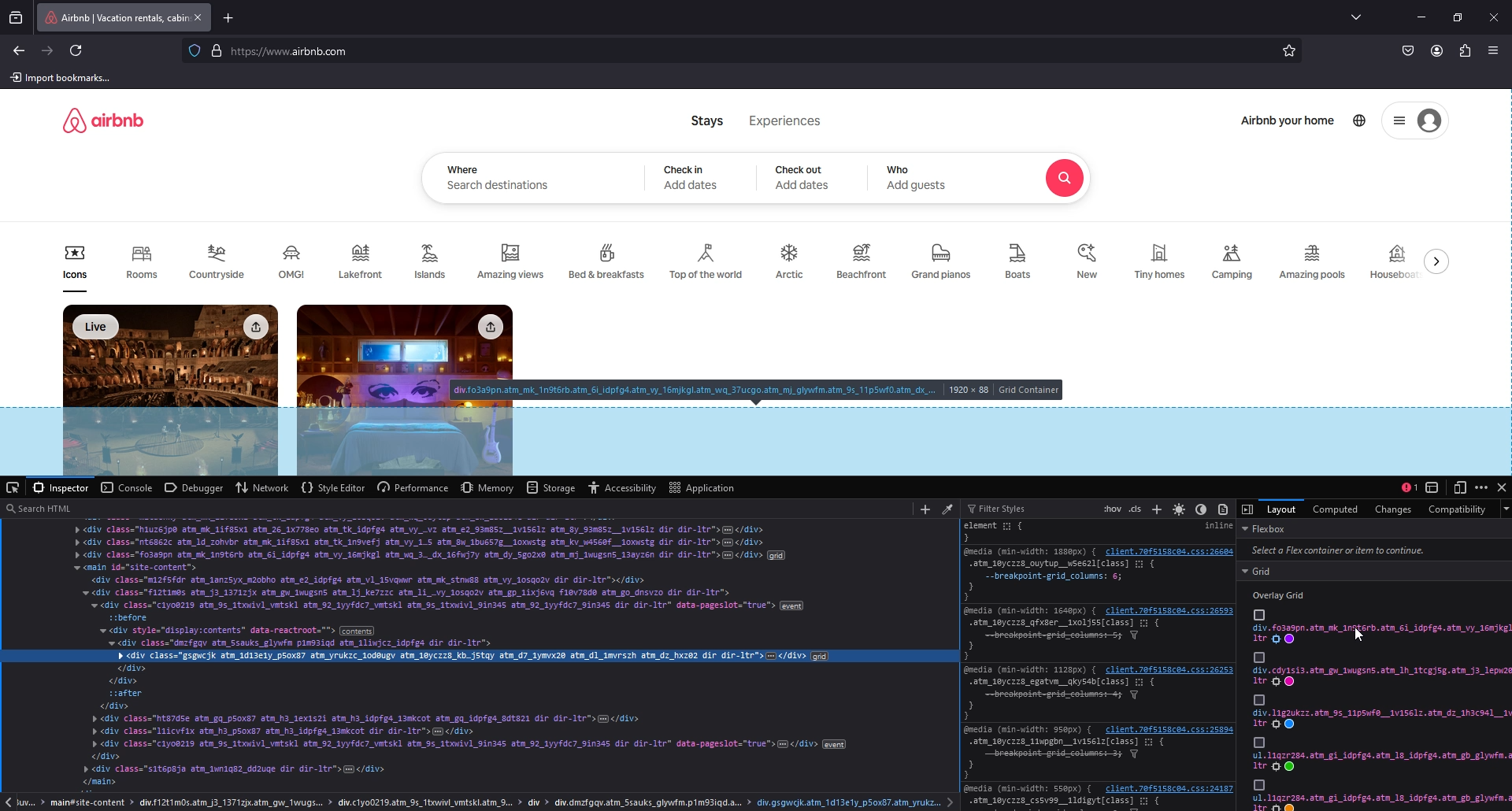 This screenshot has height=811, width=1512. What do you see at coordinates (19, 17) in the screenshot?
I see `recent browsing` at bounding box center [19, 17].